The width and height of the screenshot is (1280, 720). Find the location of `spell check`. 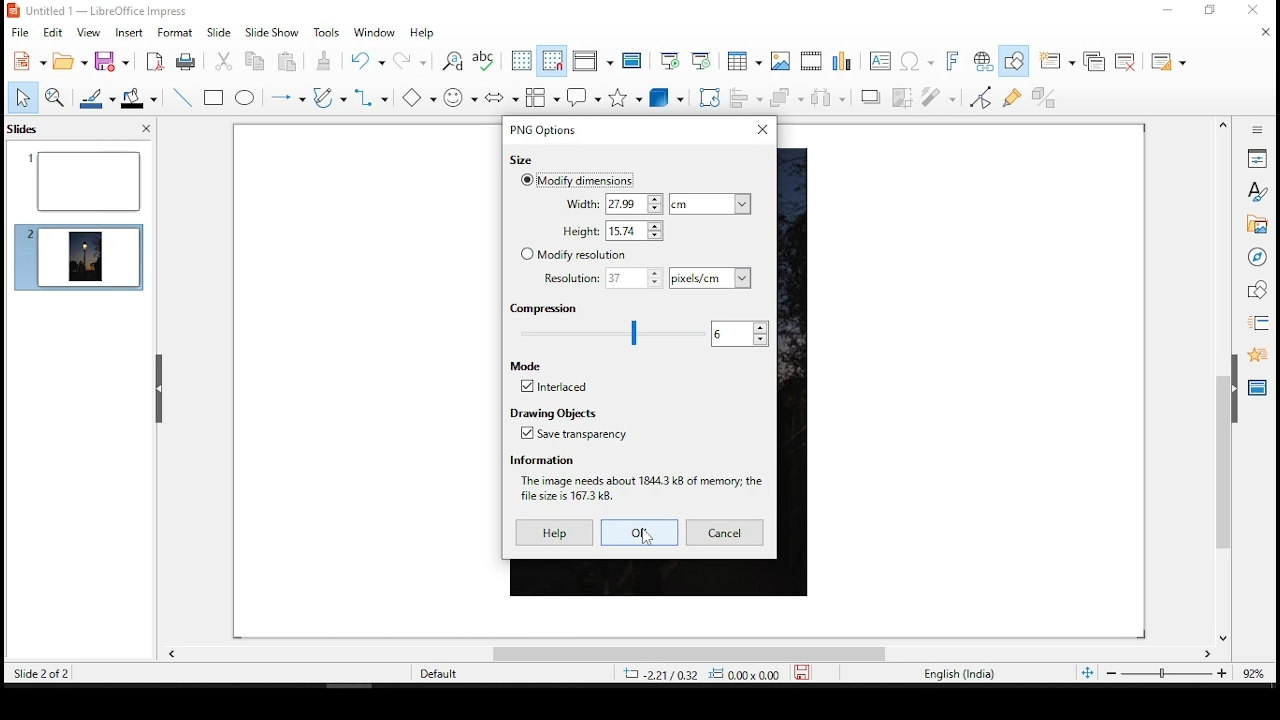

spell check is located at coordinates (486, 60).